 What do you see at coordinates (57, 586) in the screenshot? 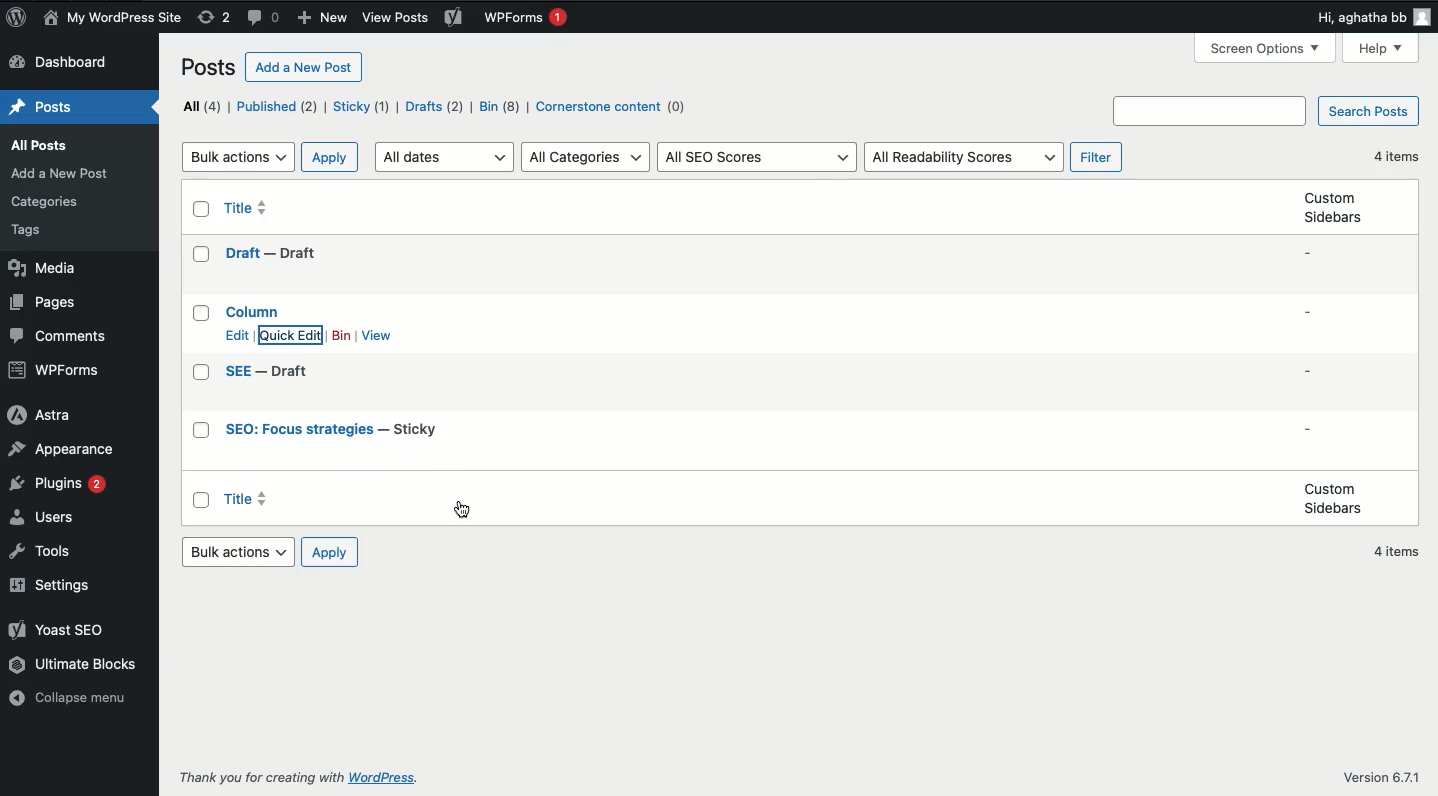
I see `Settings` at bounding box center [57, 586].